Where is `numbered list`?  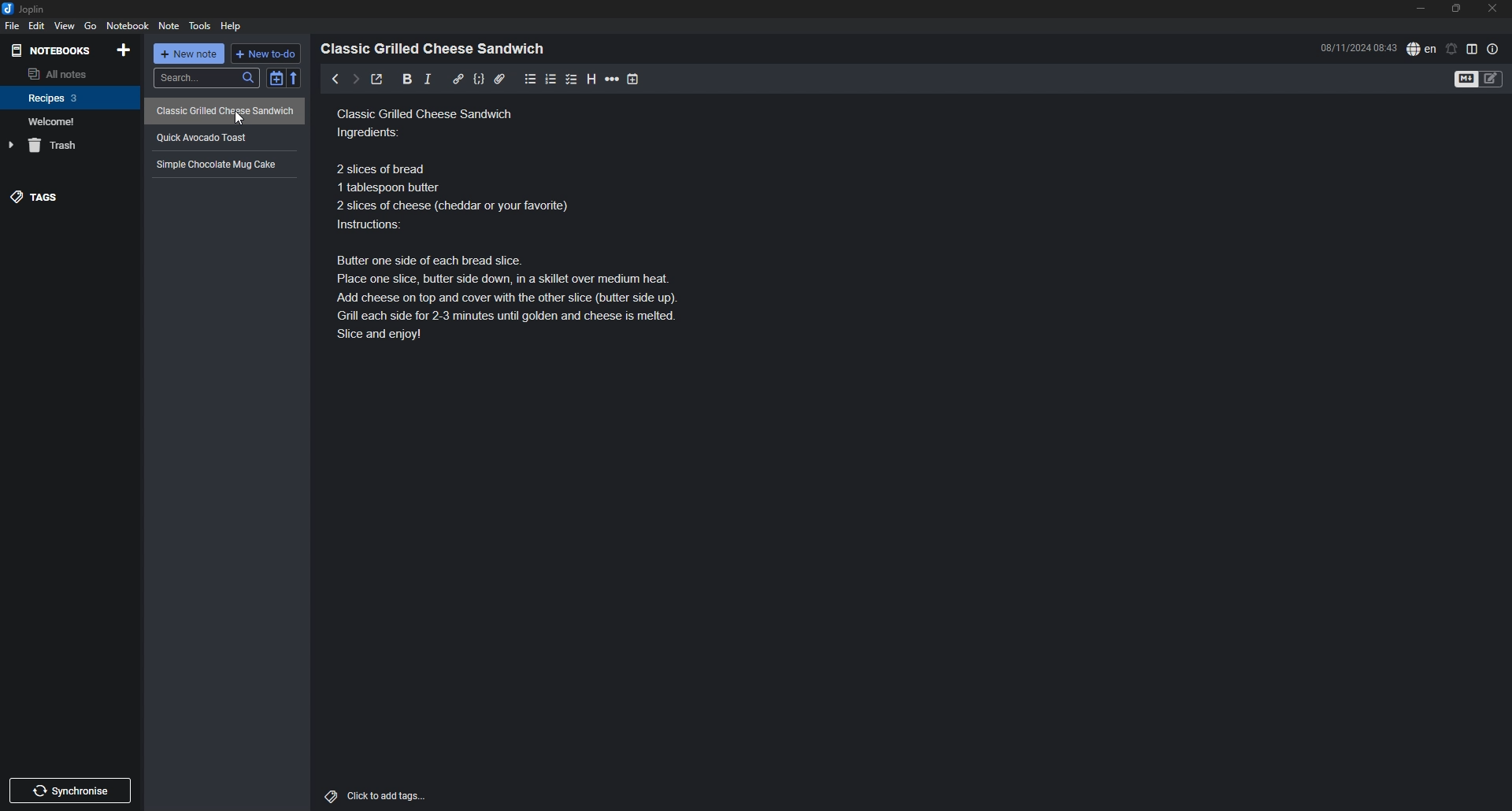 numbered list is located at coordinates (552, 80).